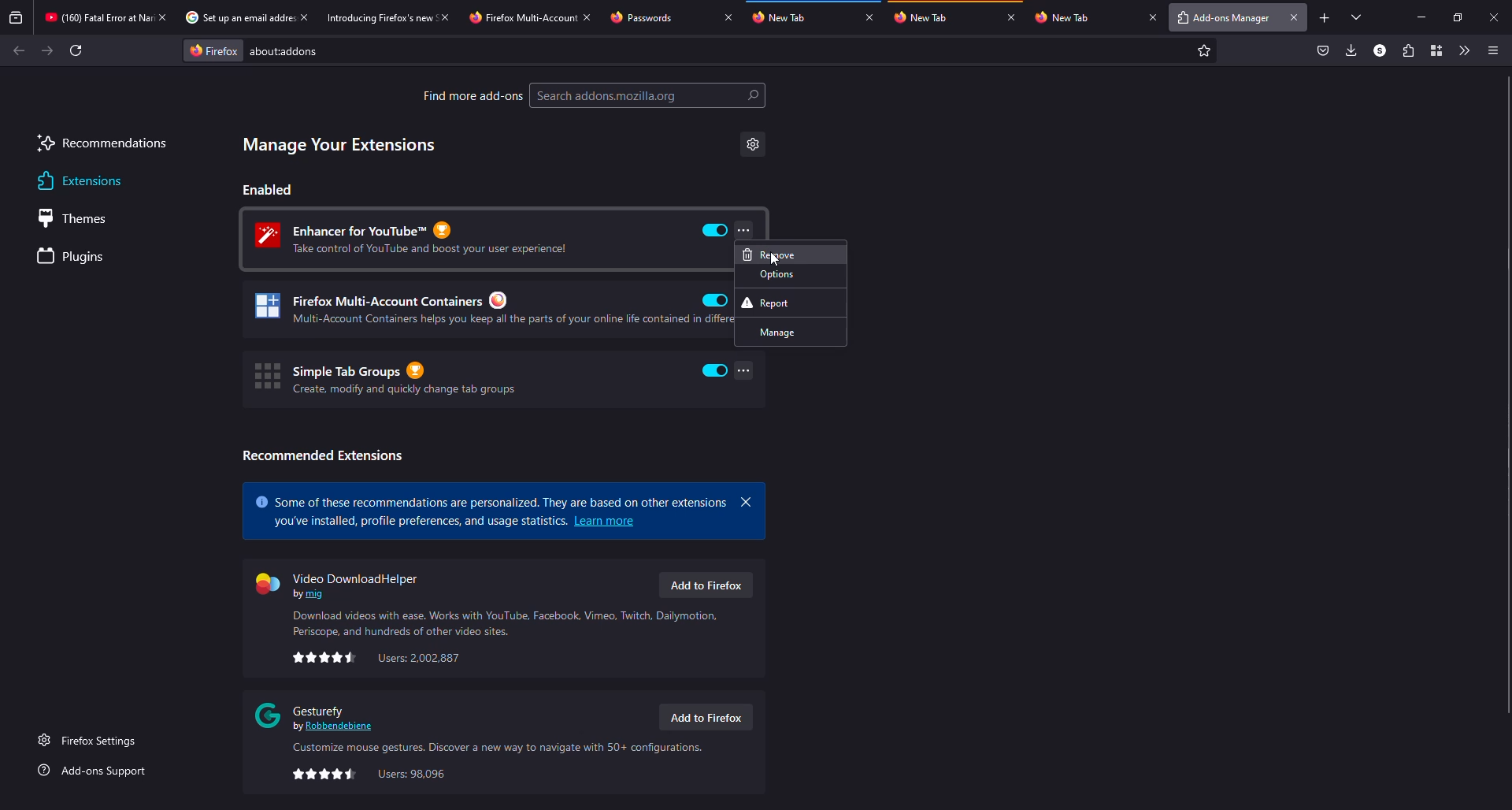  I want to click on video, so click(343, 583).